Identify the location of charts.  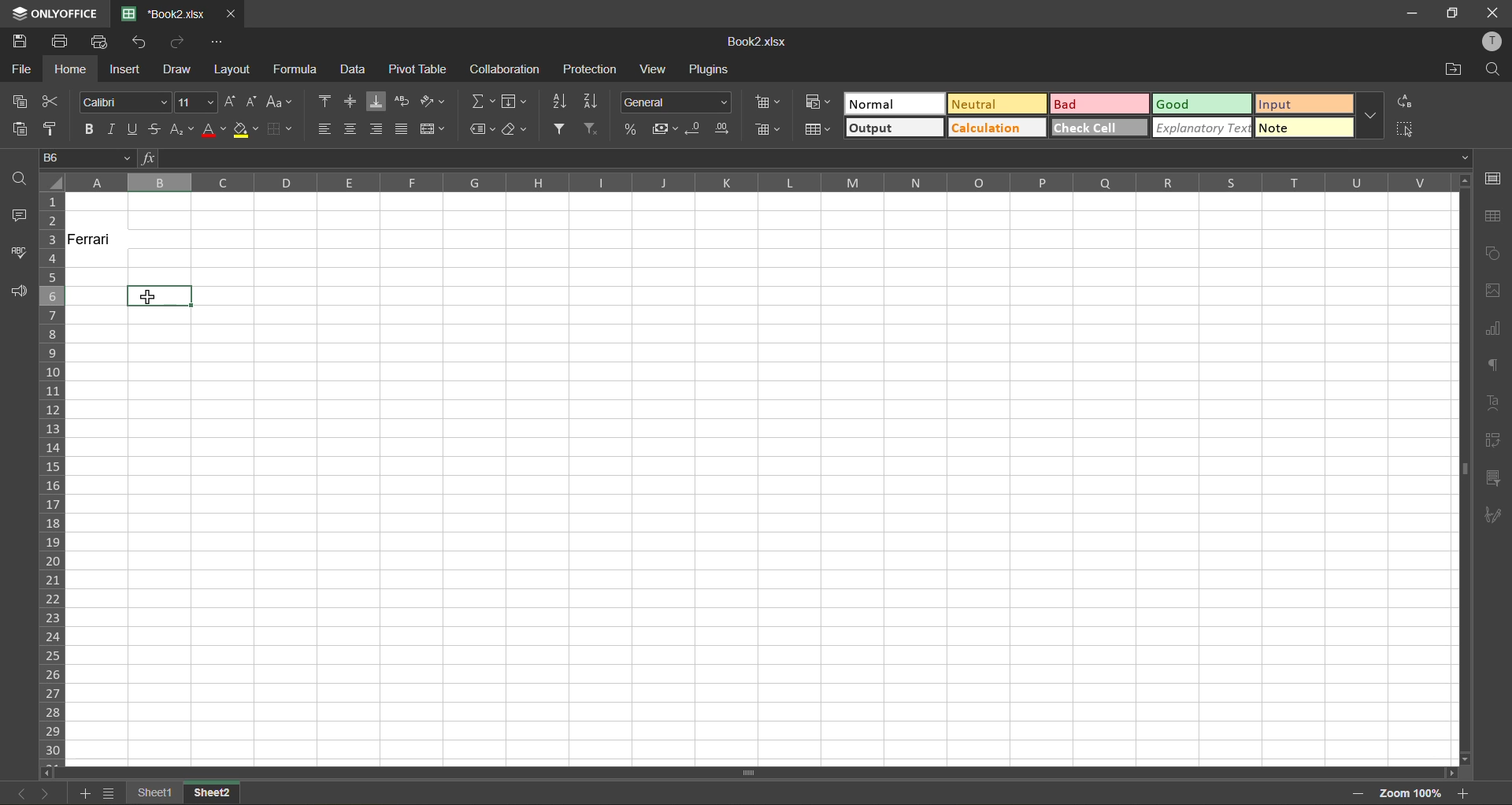
(1492, 329).